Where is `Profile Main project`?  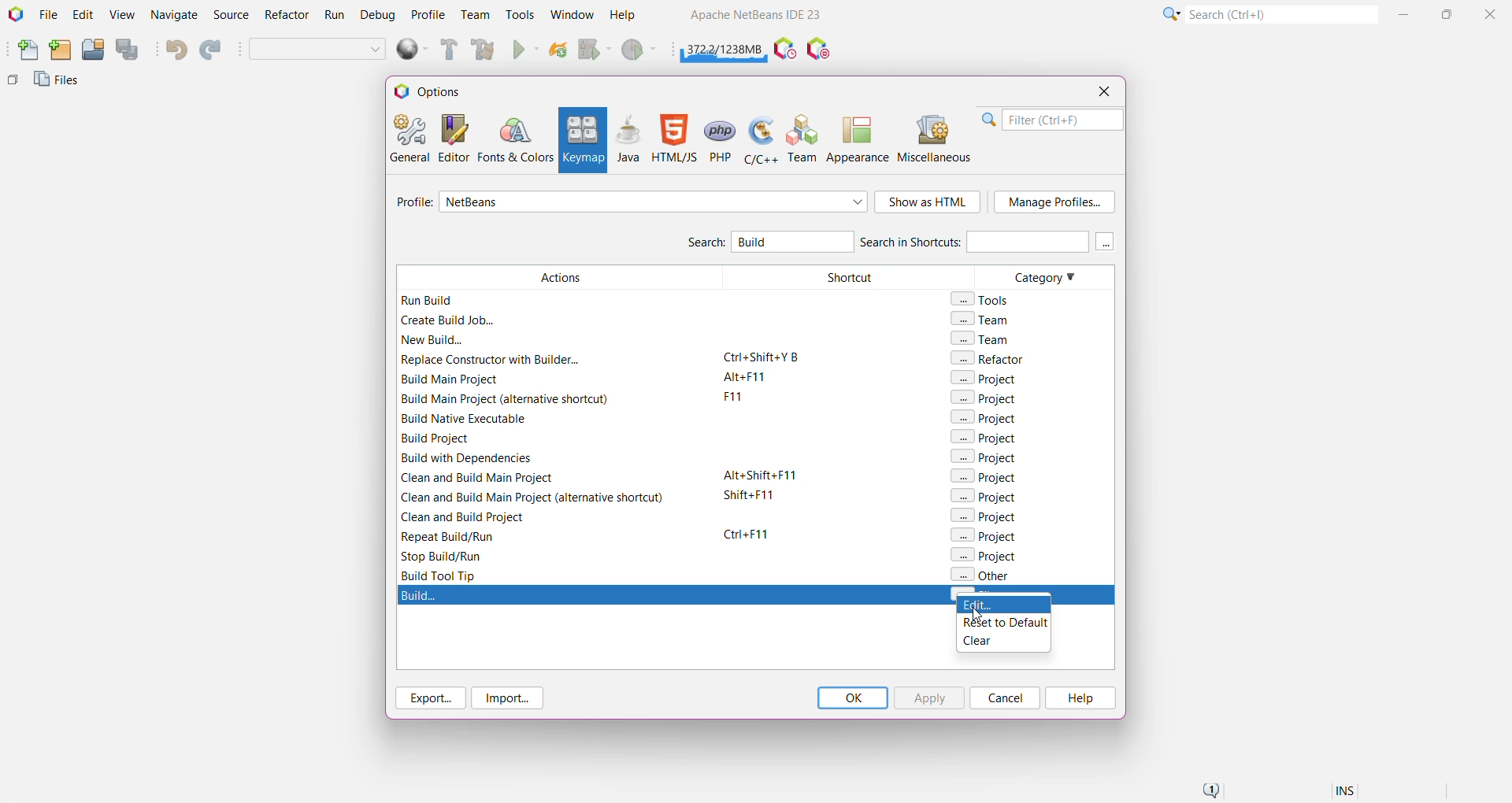
Profile Main project is located at coordinates (640, 51).